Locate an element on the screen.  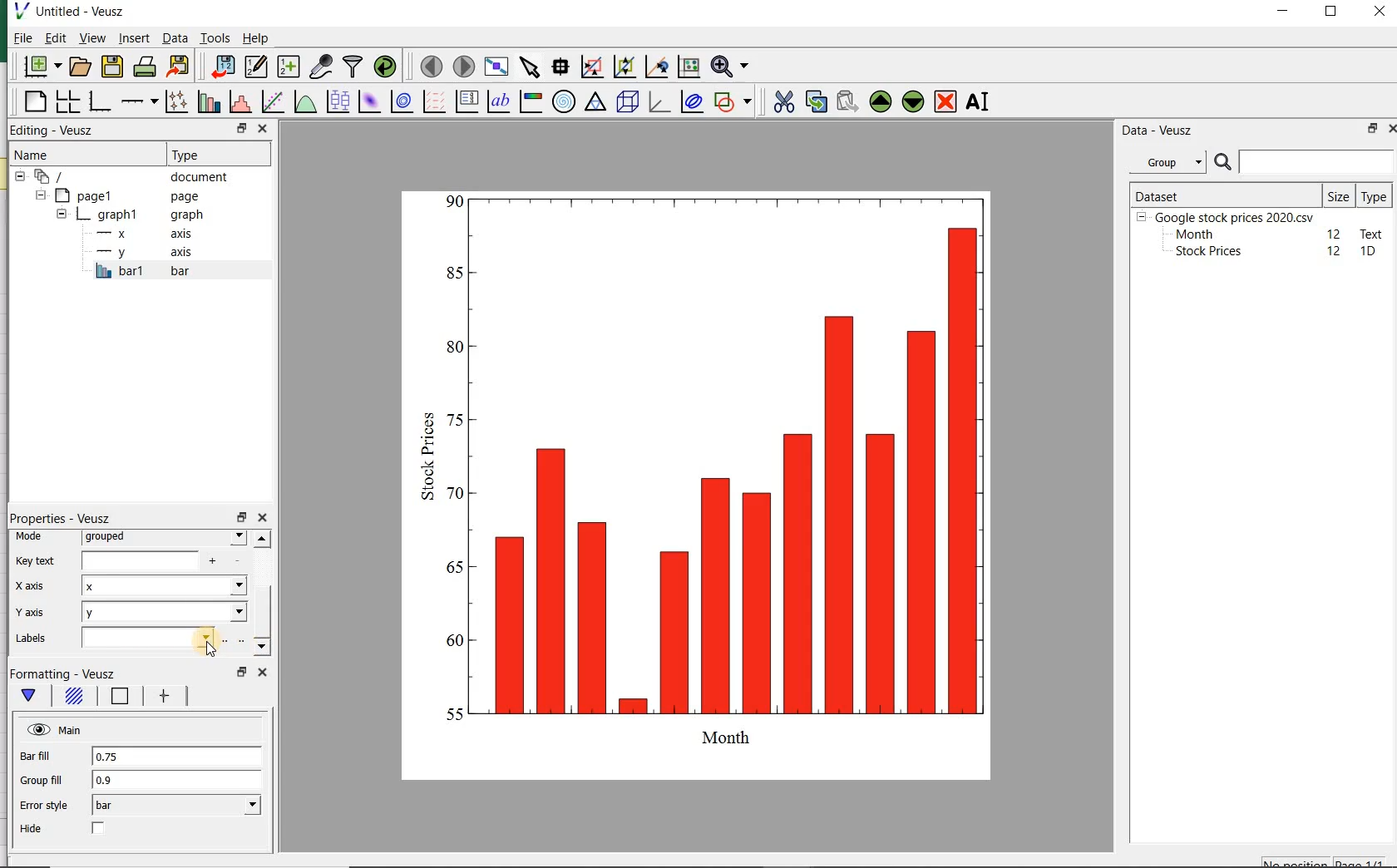
Hide is located at coordinates (31, 828).